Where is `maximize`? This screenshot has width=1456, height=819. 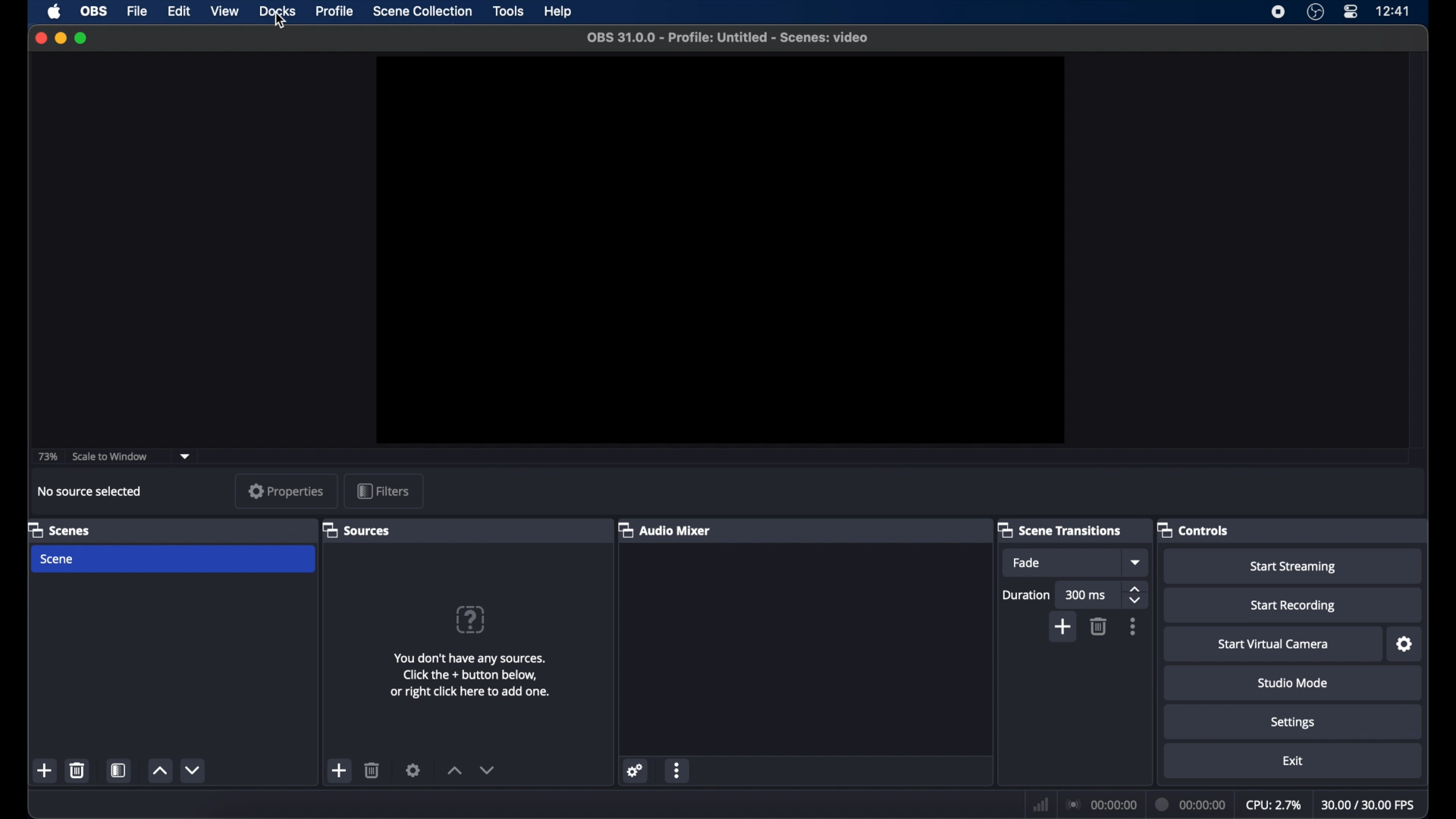
maximize is located at coordinates (83, 39).